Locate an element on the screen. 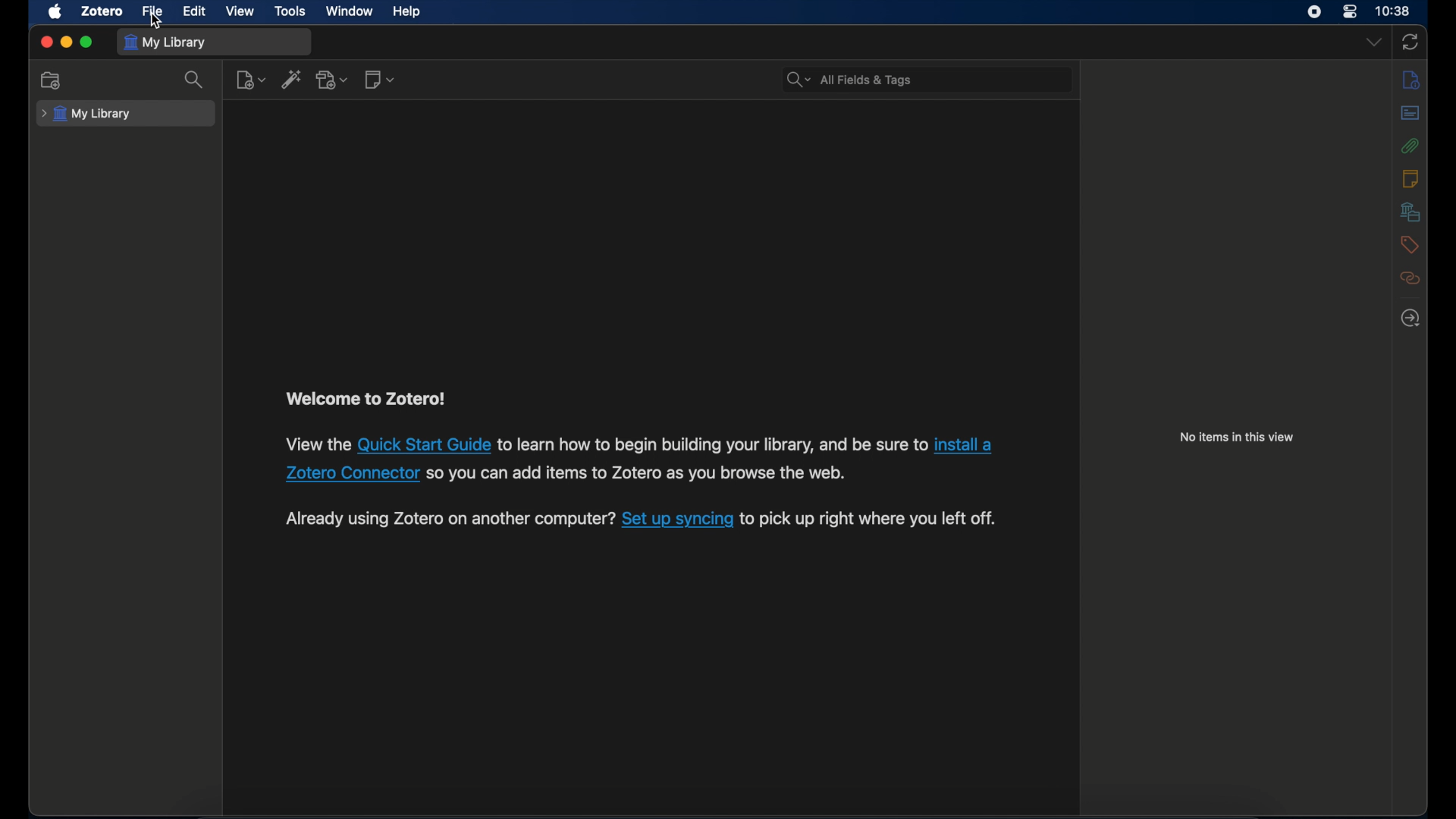  new note is located at coordinates (381, 80).